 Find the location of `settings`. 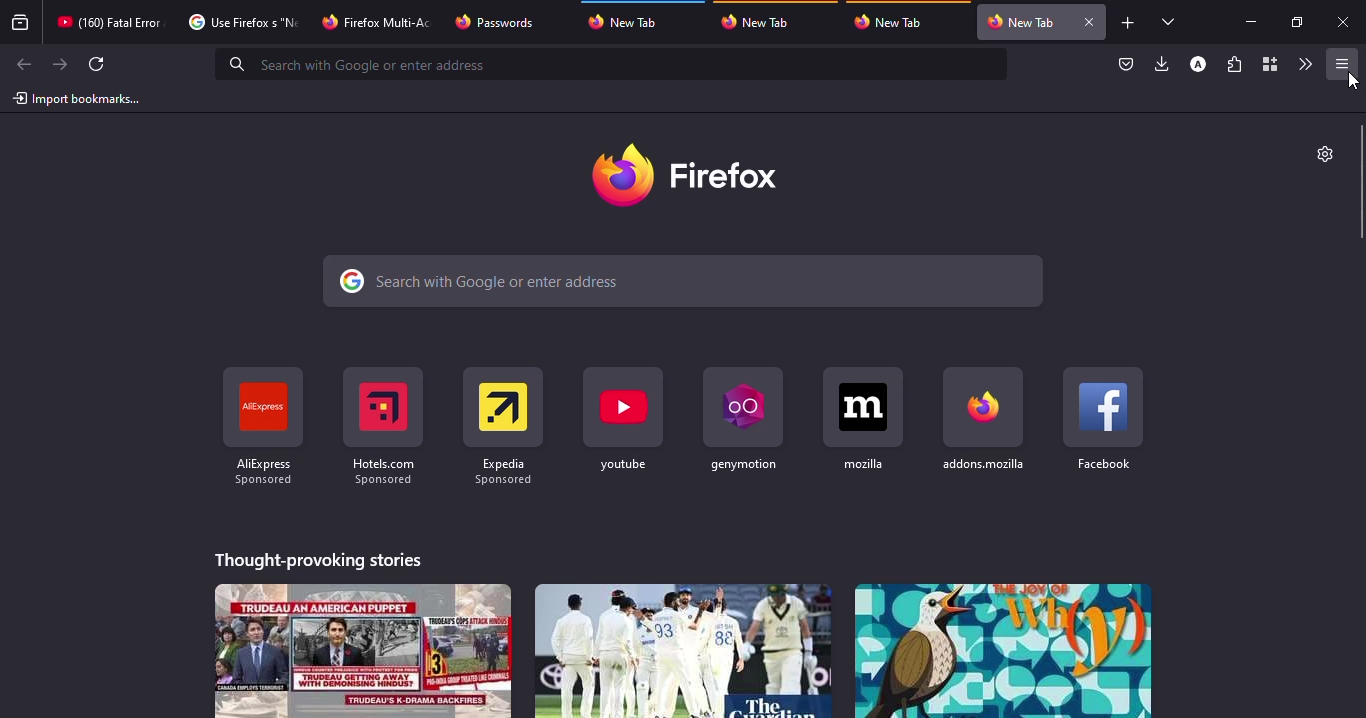

settings is located at coordinates (1322, 153).